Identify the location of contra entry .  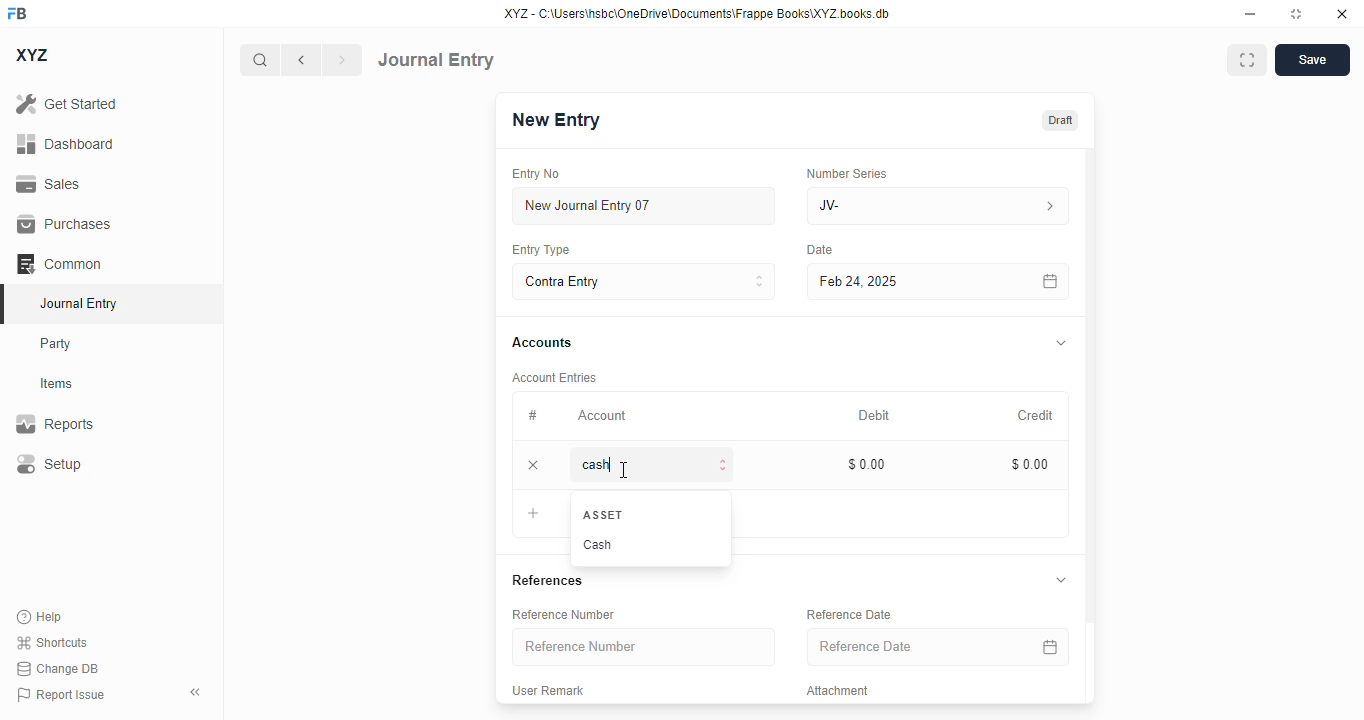
(643, 280).